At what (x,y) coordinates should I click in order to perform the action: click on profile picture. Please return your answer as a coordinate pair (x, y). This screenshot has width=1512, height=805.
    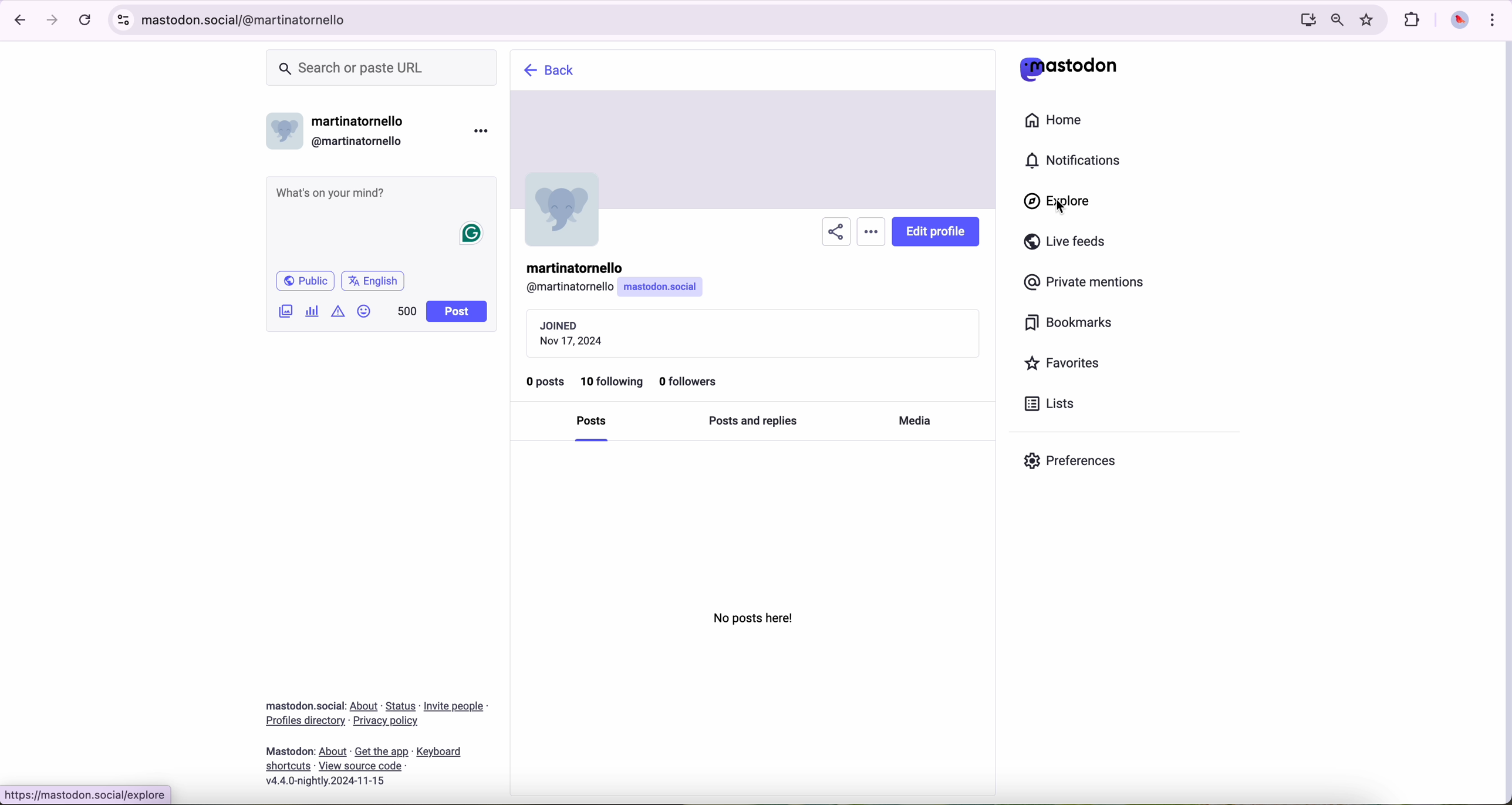
    Looking at the image, I should click on (1460, 22).